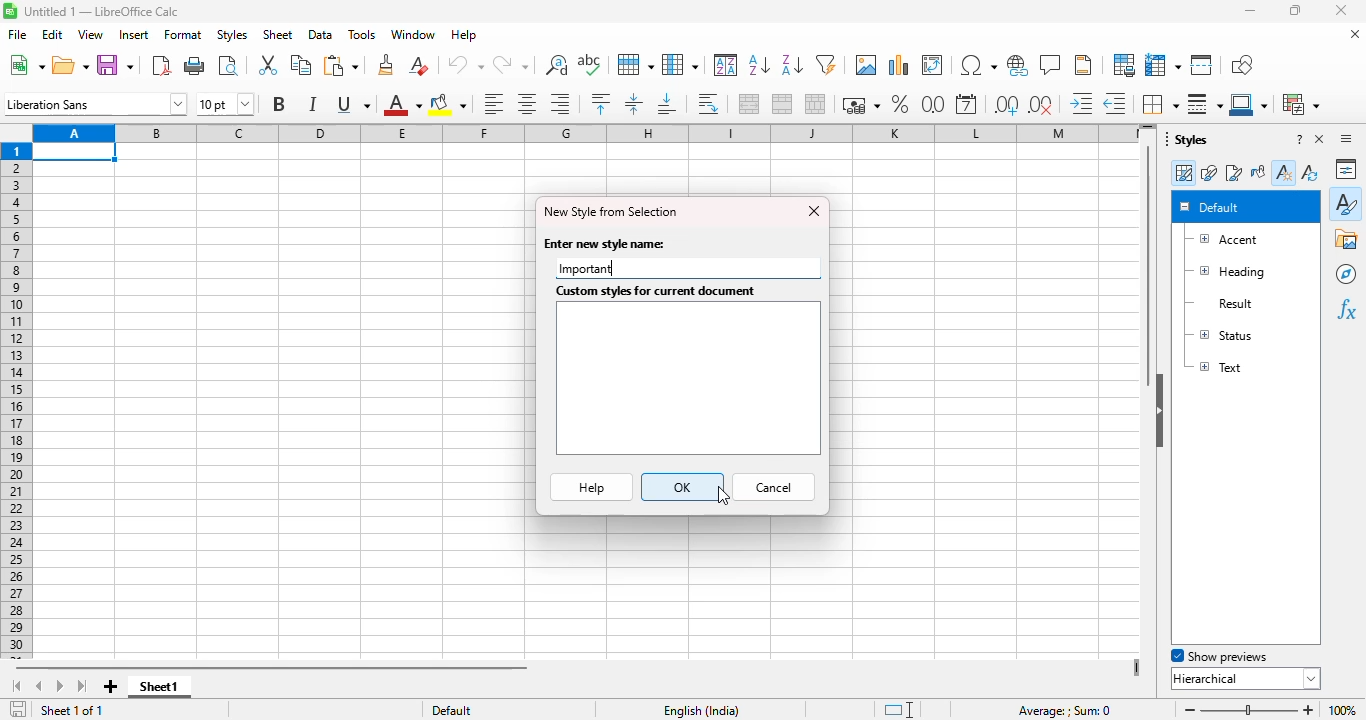 This screenshot has height=720, width=1366. What do you see at coordinates (267, 65) in the screenshot?
I see `cut` at bounding box center [267, 65].